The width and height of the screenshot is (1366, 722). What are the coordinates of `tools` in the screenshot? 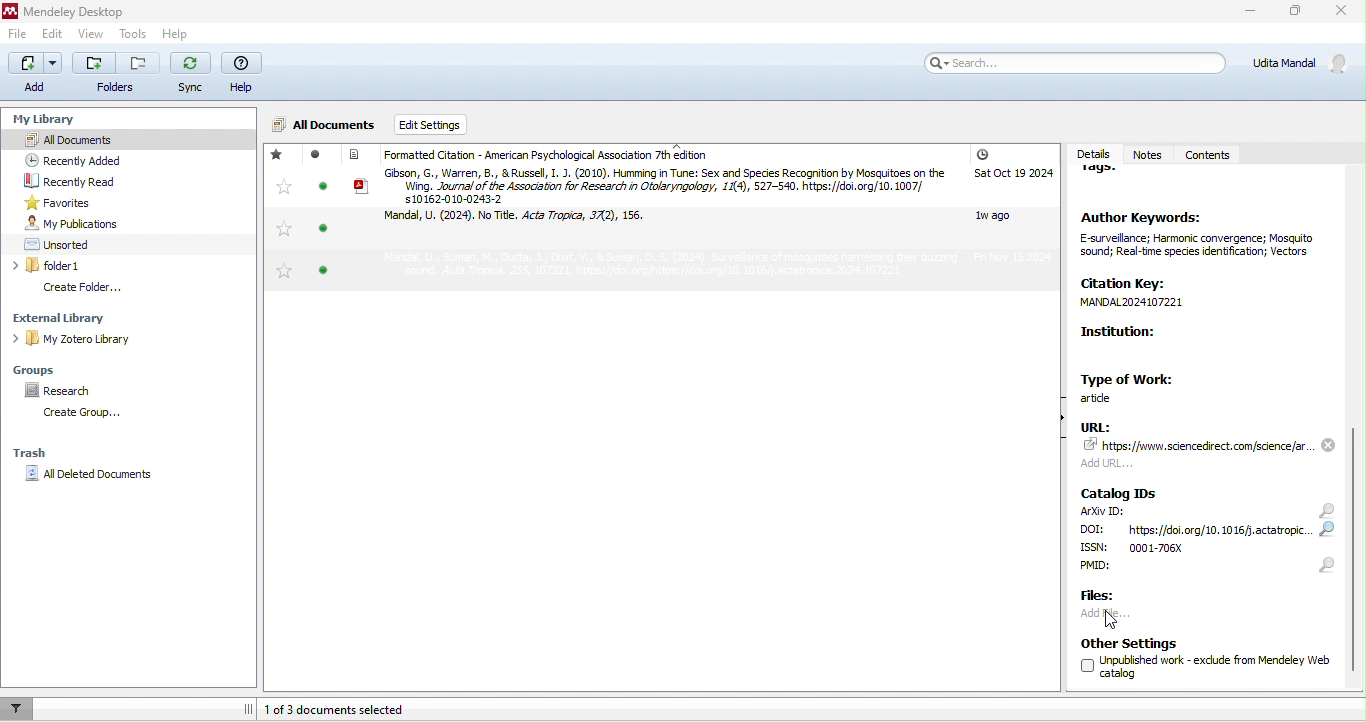 It's located at (132, 34).